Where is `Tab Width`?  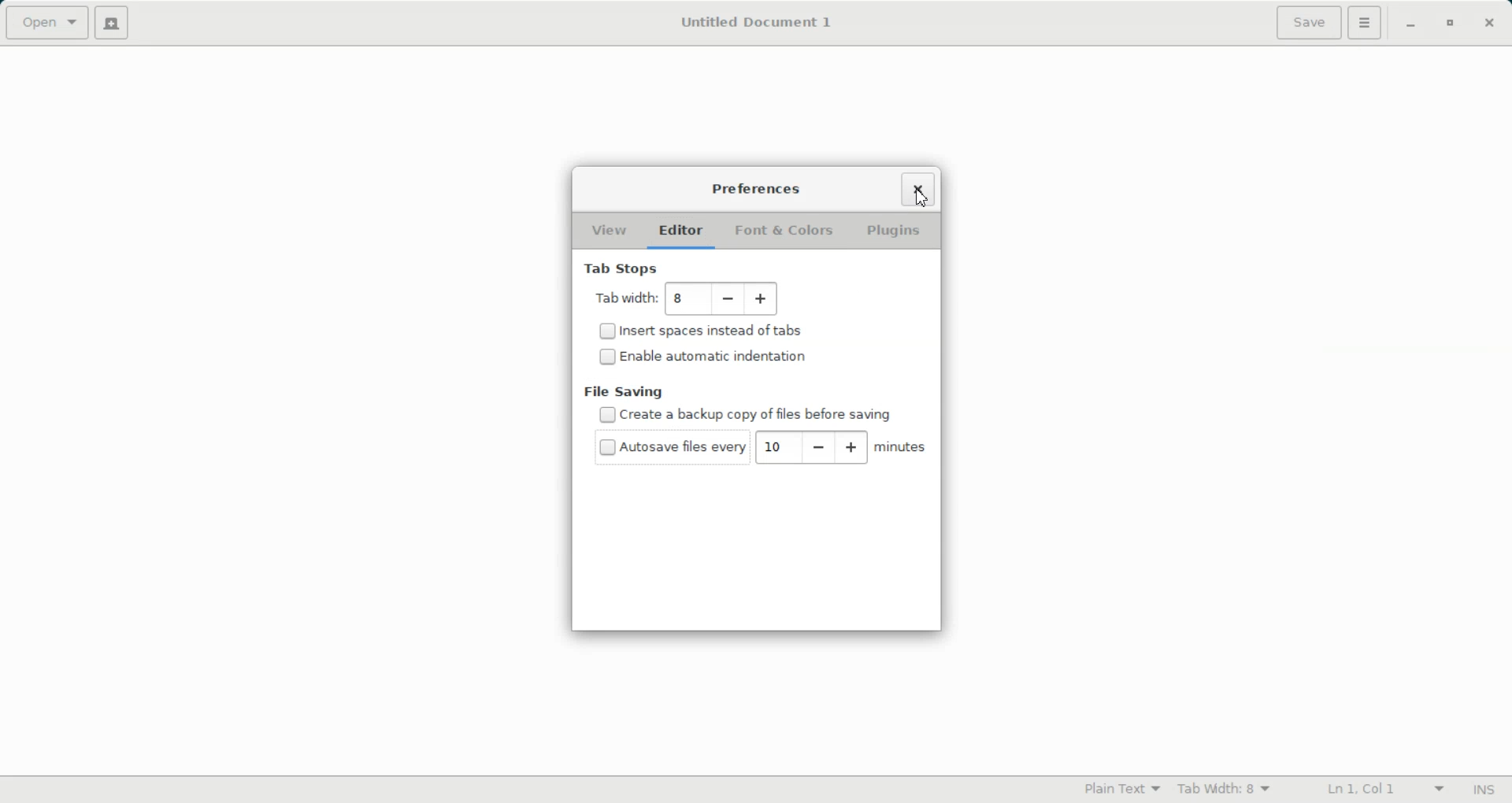
Tab Width is located at coordinates (1223, 789).